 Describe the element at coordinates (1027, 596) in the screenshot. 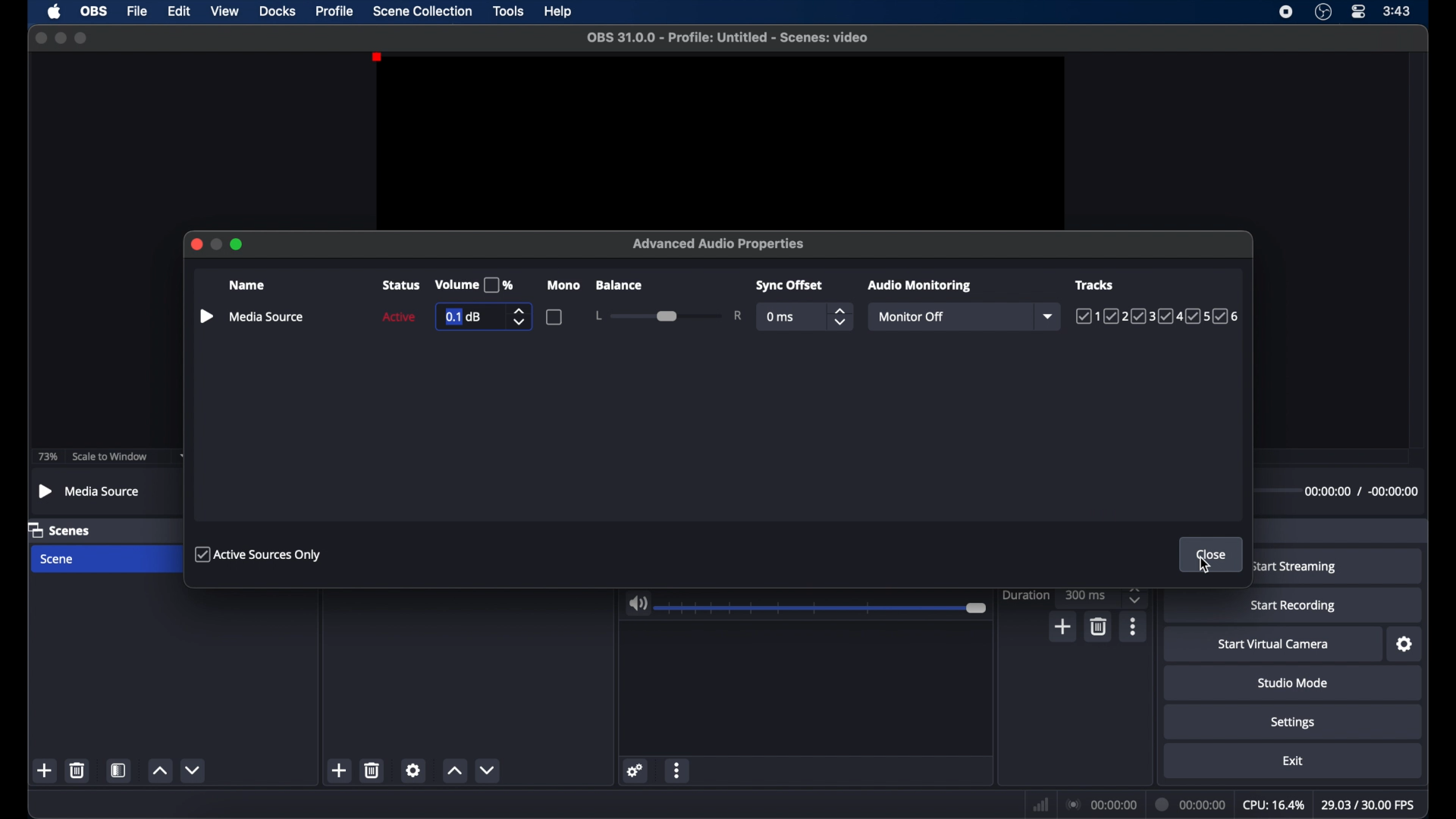

I see `duration` at that location.